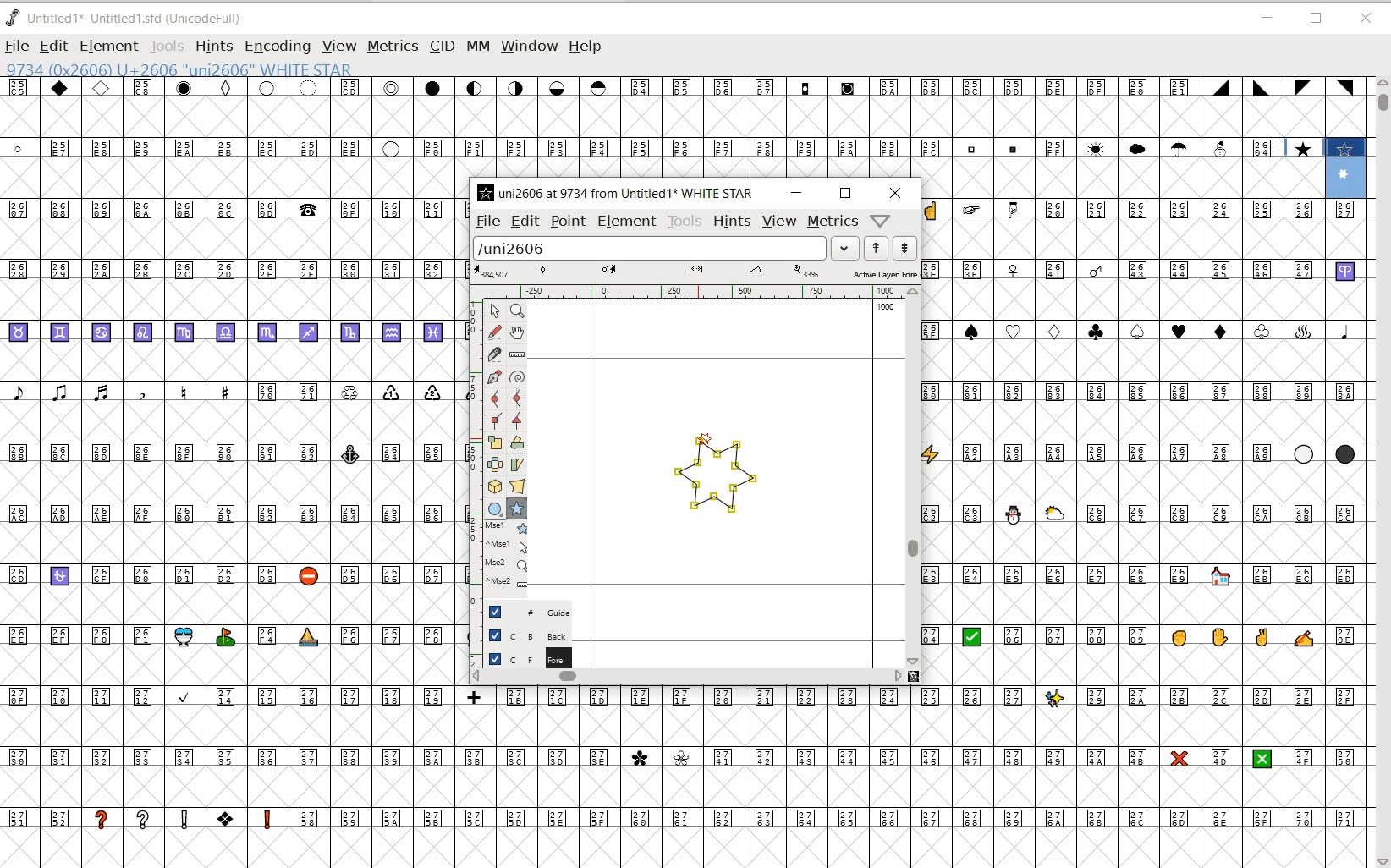  What do you see at coordinates (519, 355) in the screenshot?
I see `MEASURE DISTANCE ` at bounding box center [519, 355].